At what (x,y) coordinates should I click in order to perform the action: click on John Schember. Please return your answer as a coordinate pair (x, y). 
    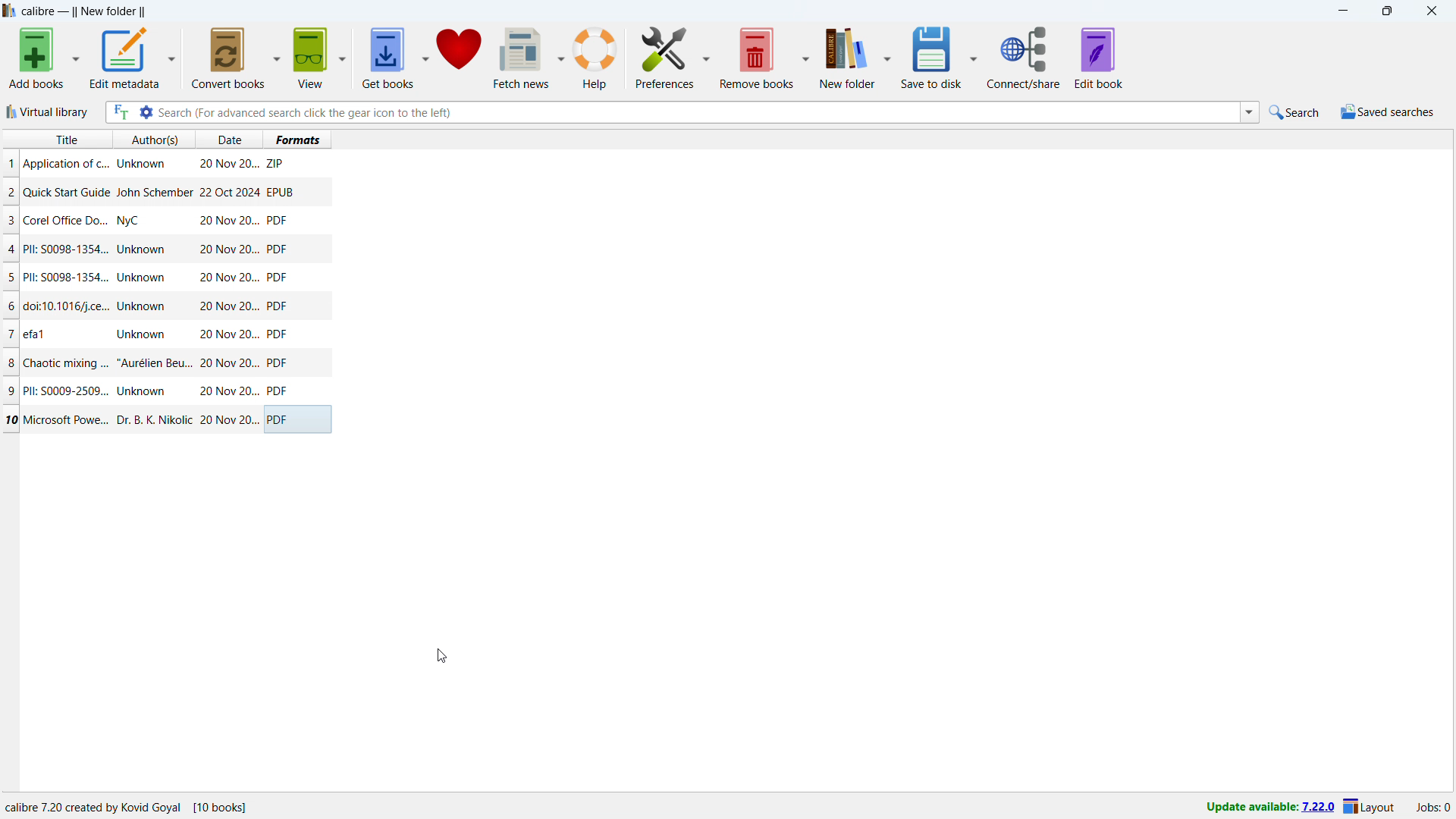
    Looking at the image, I should click on (155, 193).